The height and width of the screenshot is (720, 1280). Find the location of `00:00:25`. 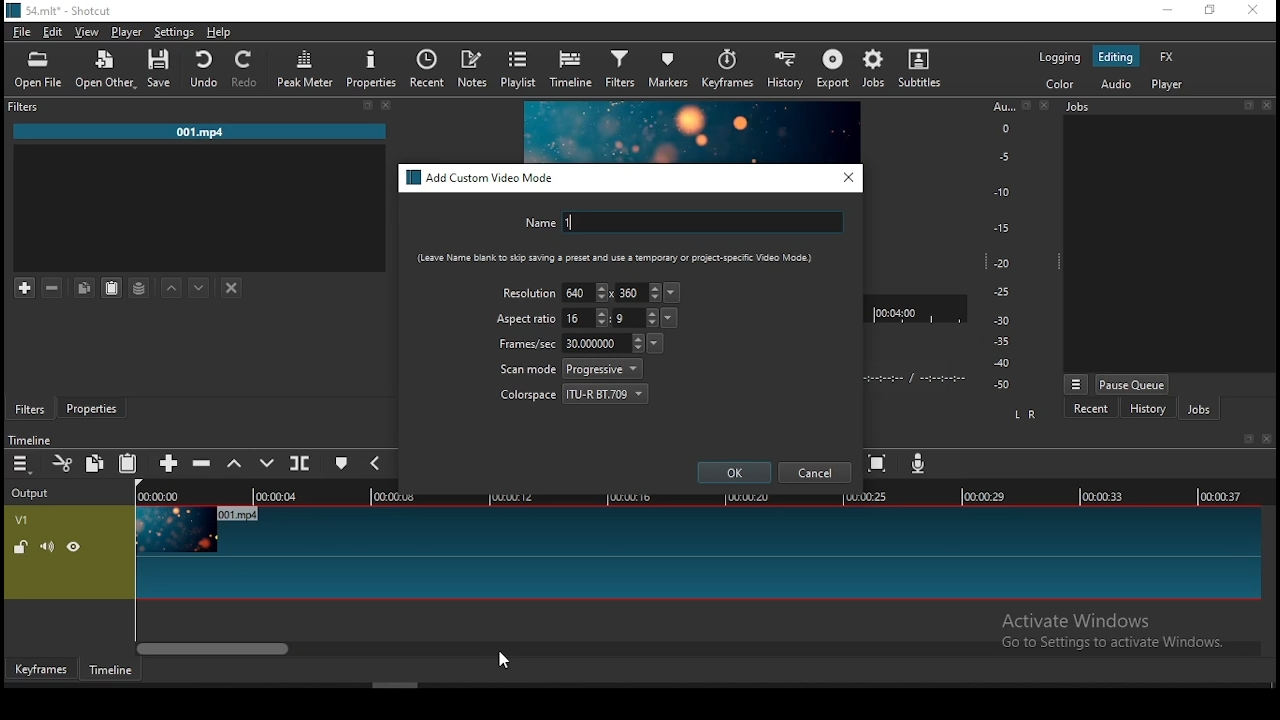

00:00:25 is located at coordinates (863, 497).